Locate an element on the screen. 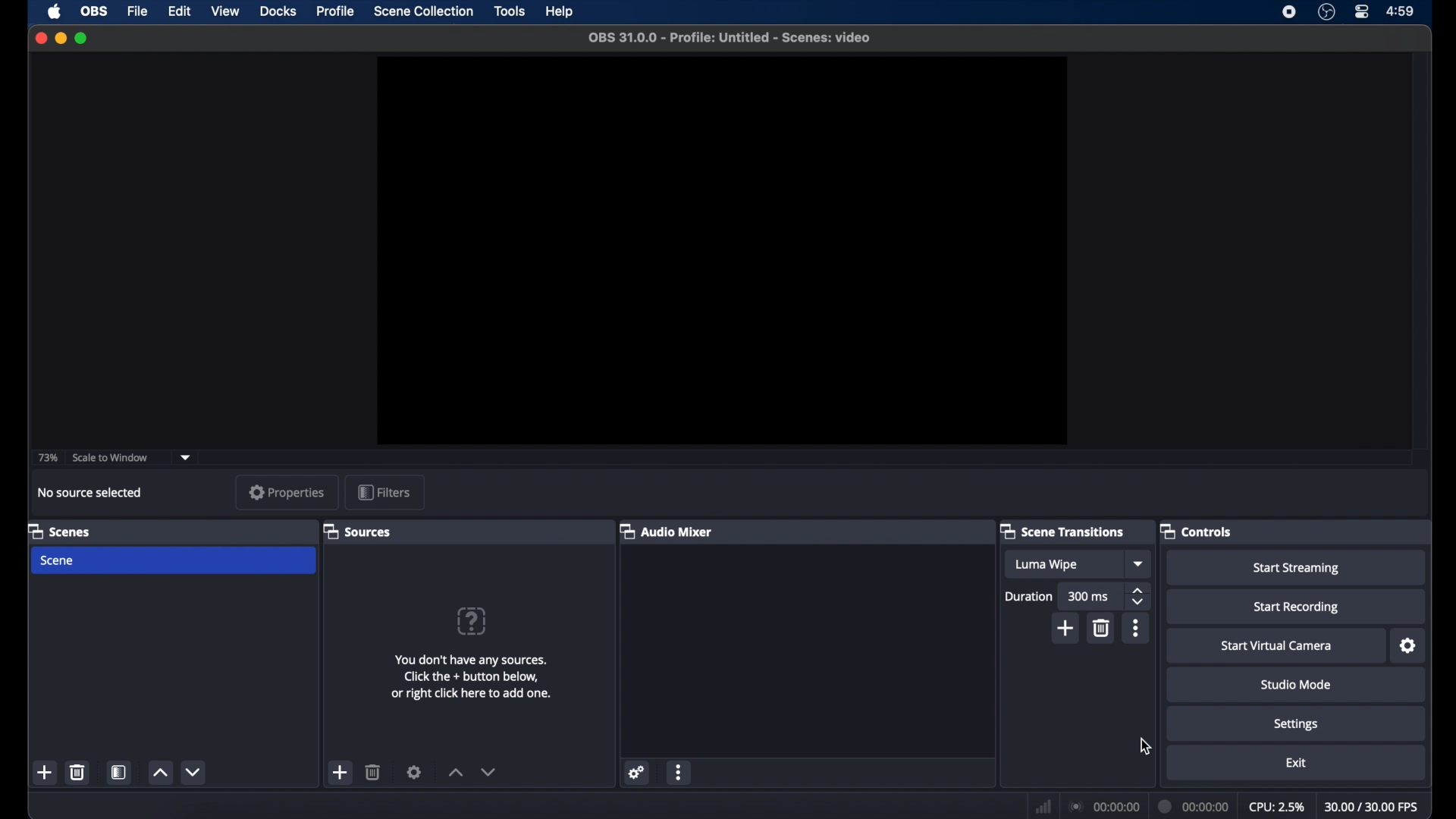  increment is located at coordinates (457, 772).